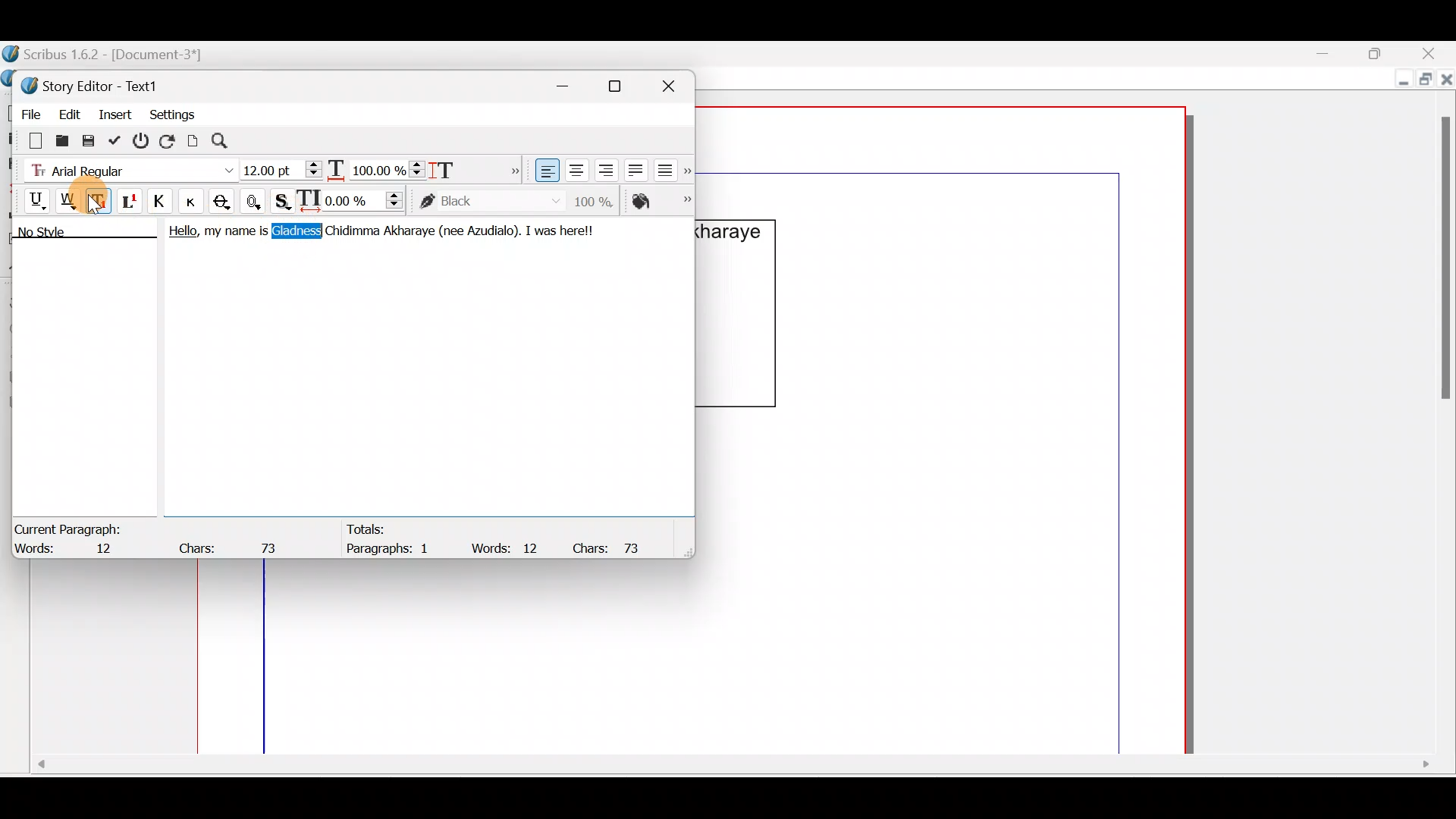 Image resolution: width=1456 pixels, height=819 pixels. What do you see at coordinates (89, 140) in the screenshot?
I see `Save to file` at bounding box center [89, 140].